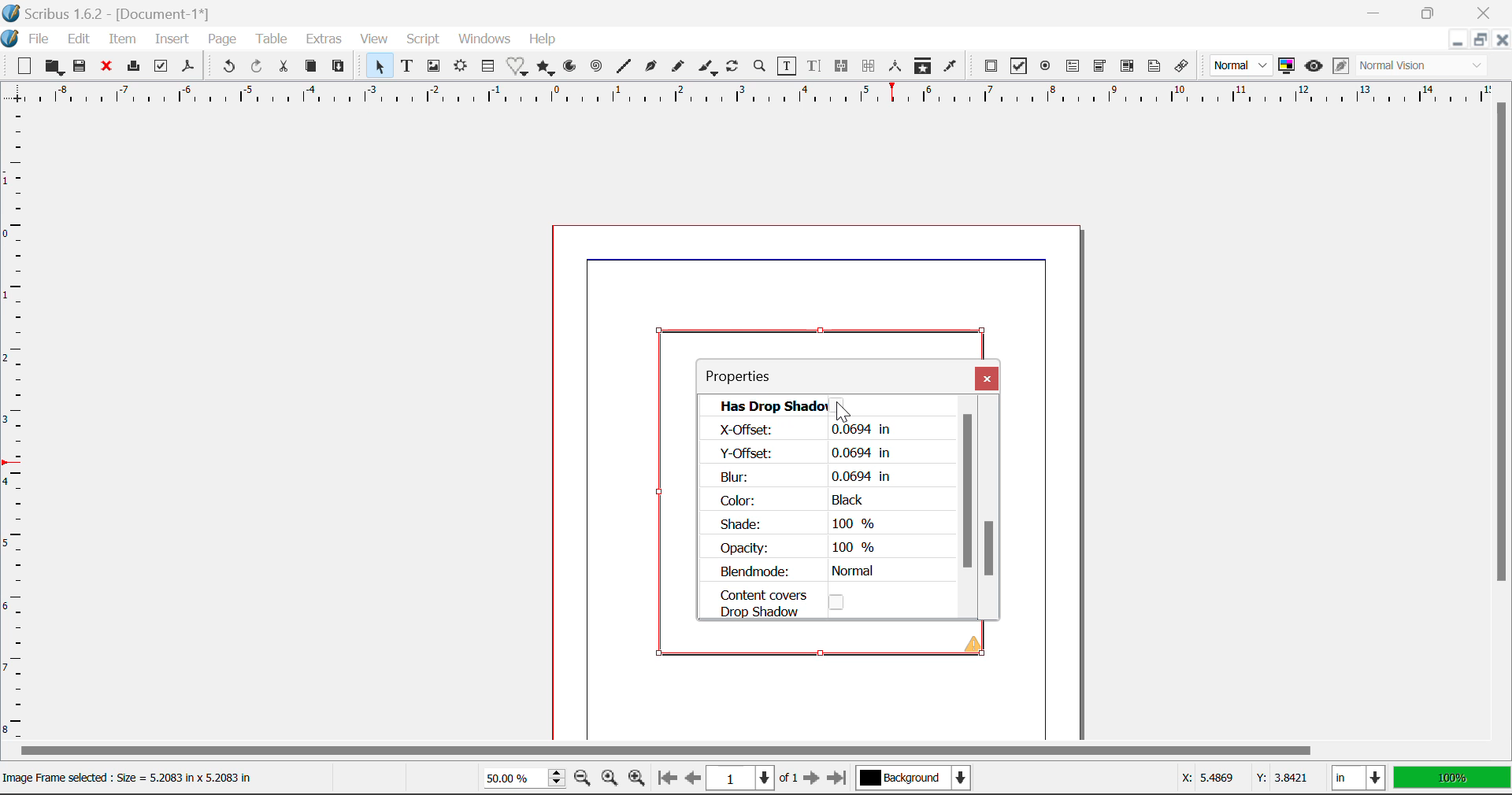 Image resolution: width=1512 pixels, height=795 pixels. Describe the element at coordinates (23, 67) in the screenshot. I see `New` at that location.